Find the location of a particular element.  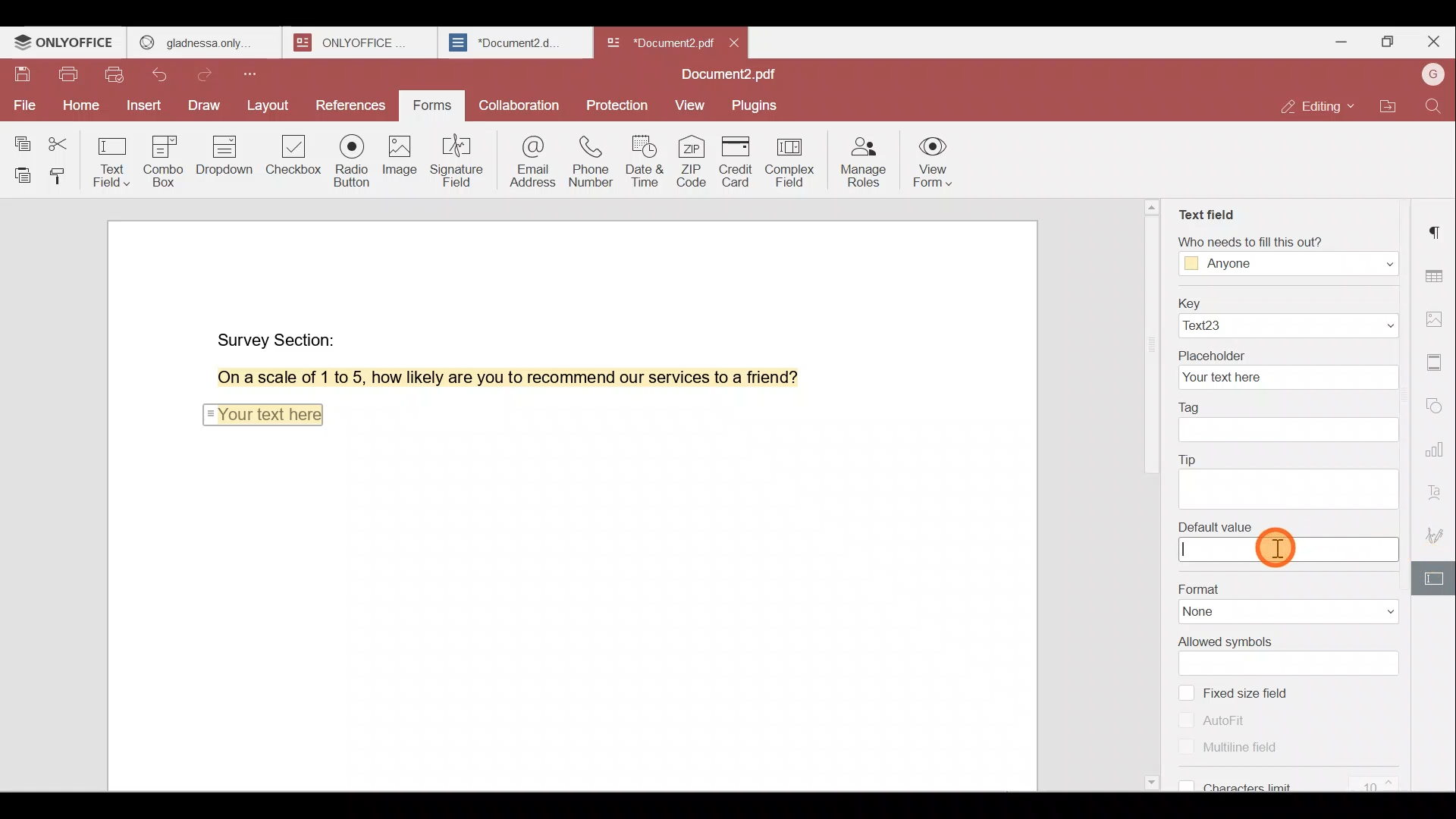

Text field is located at coordinates (114, 158).